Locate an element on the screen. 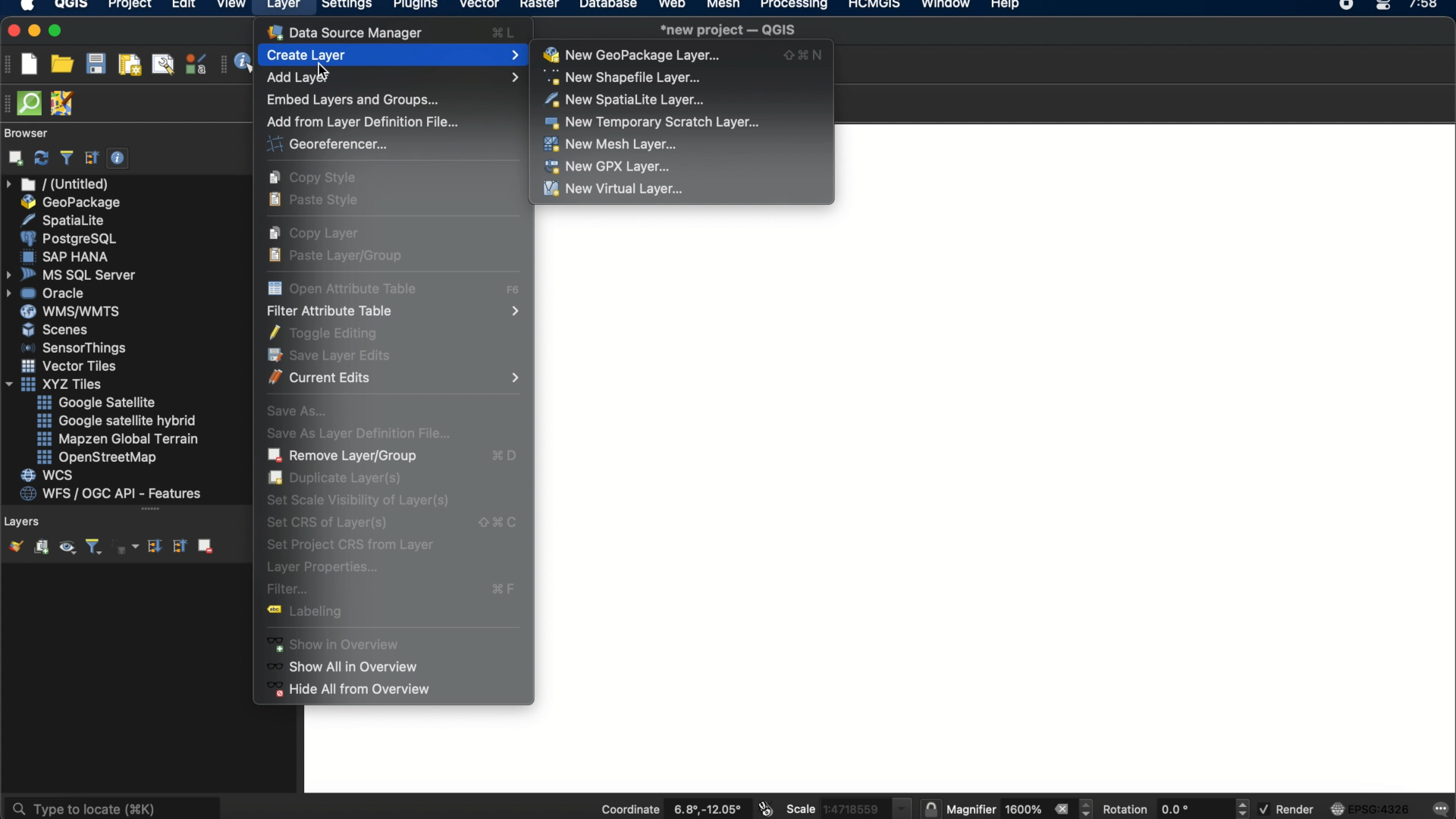  openstreetmap is located at coordinates (97, 458).